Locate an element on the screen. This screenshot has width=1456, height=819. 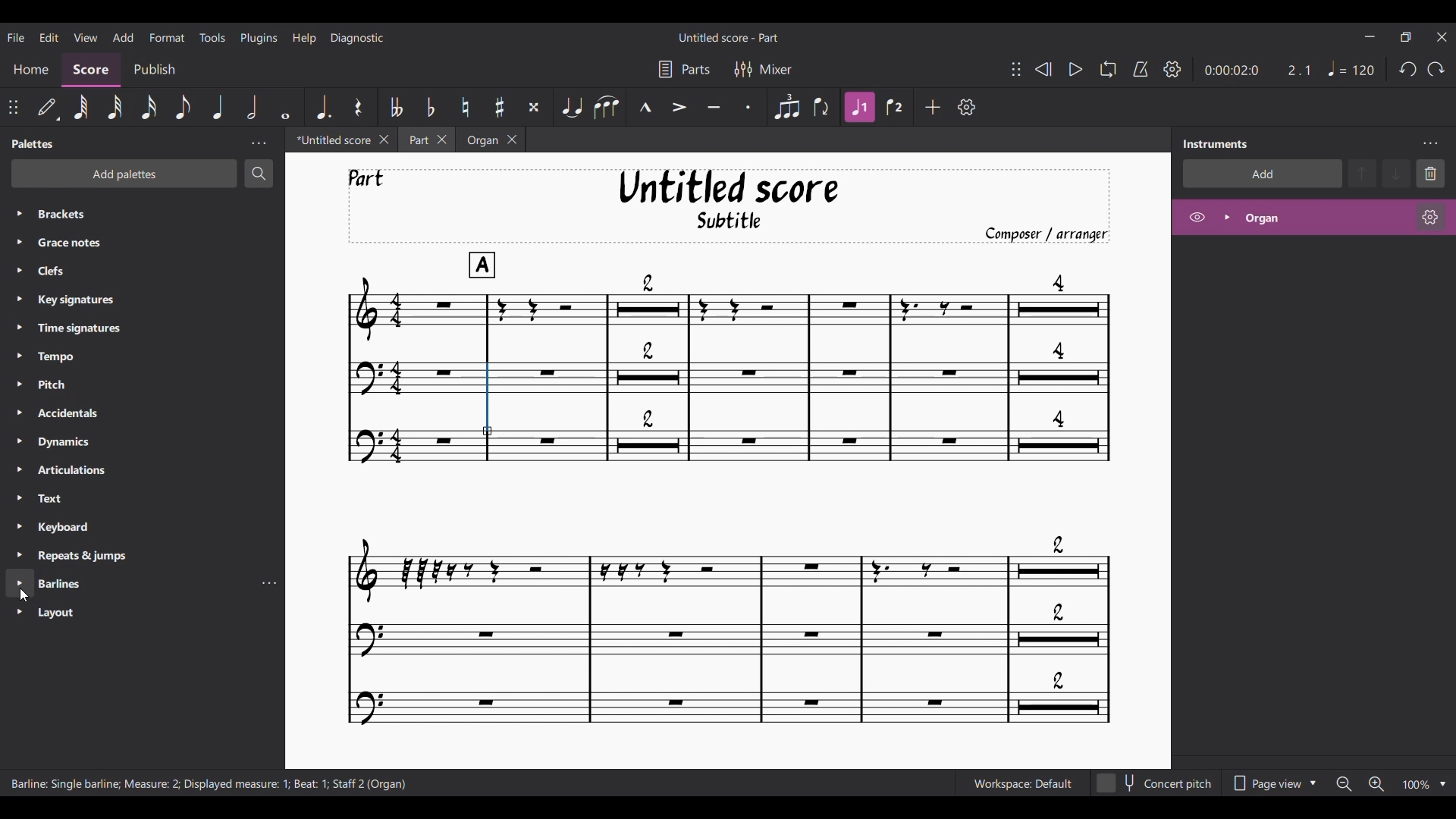
Hide organ is located at coordinates (1197, 217).